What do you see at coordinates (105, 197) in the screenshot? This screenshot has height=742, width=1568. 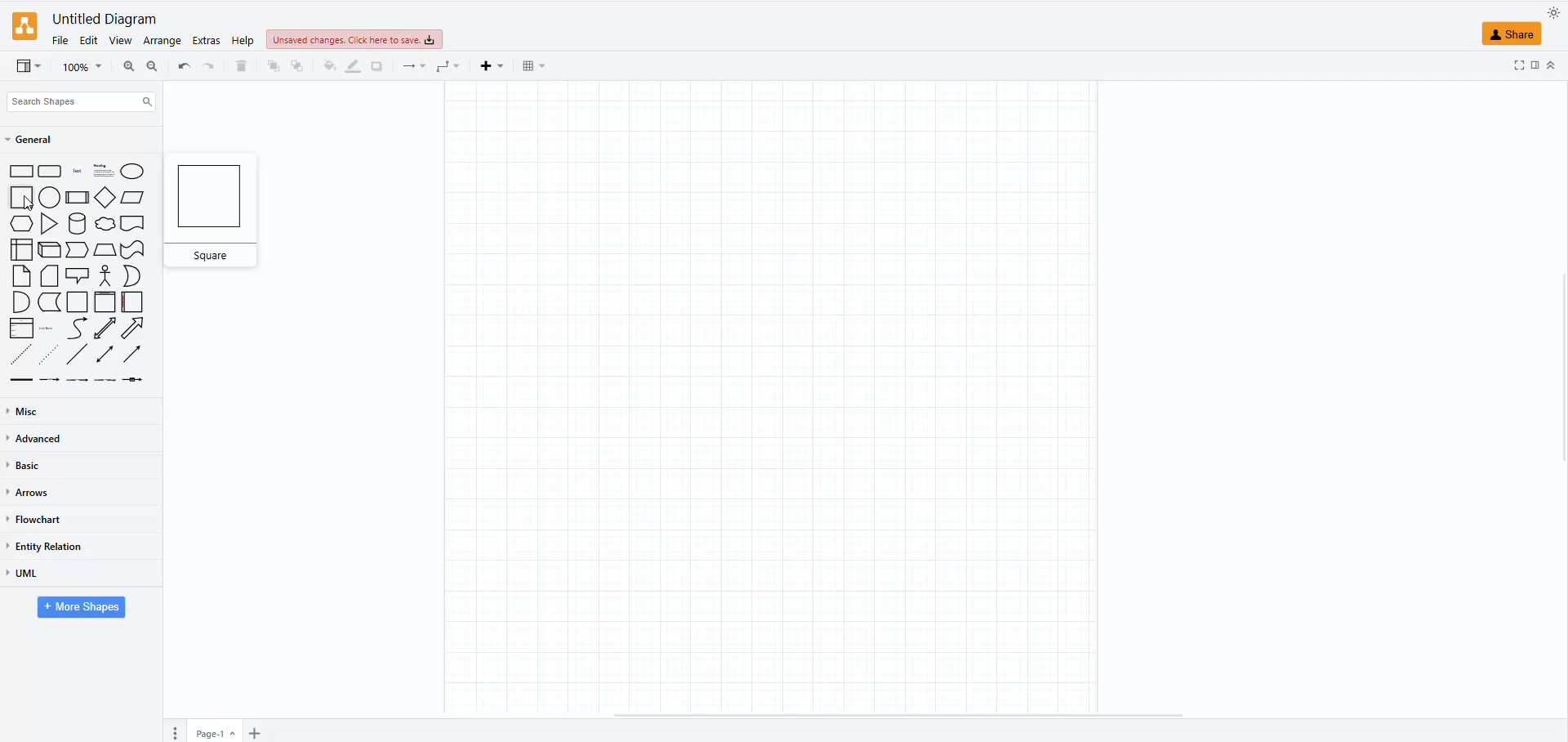 I see `diamond` at bounding box center [105, 197].